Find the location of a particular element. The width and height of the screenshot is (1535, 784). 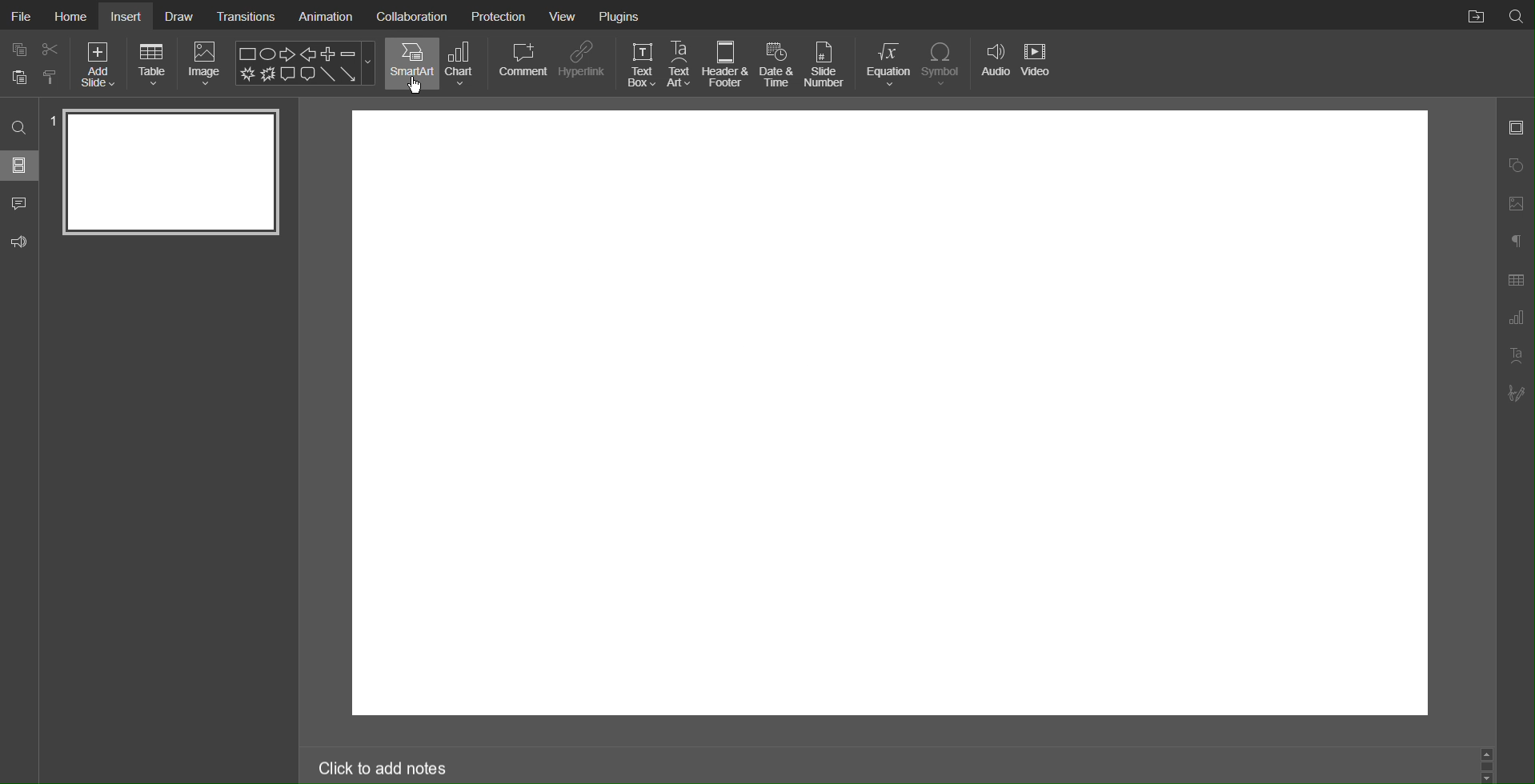

Text Art is located at coordinates (1514, 355).